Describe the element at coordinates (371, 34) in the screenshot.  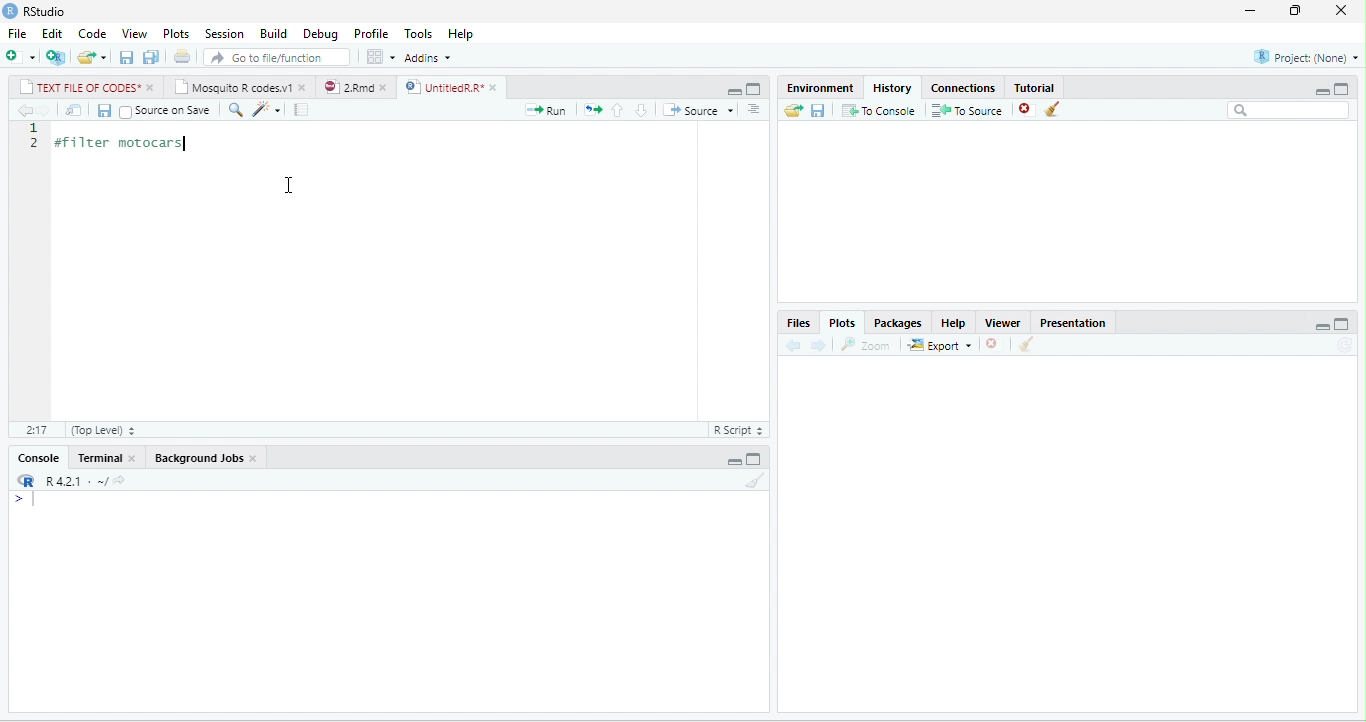
I see `Profile` at that location.